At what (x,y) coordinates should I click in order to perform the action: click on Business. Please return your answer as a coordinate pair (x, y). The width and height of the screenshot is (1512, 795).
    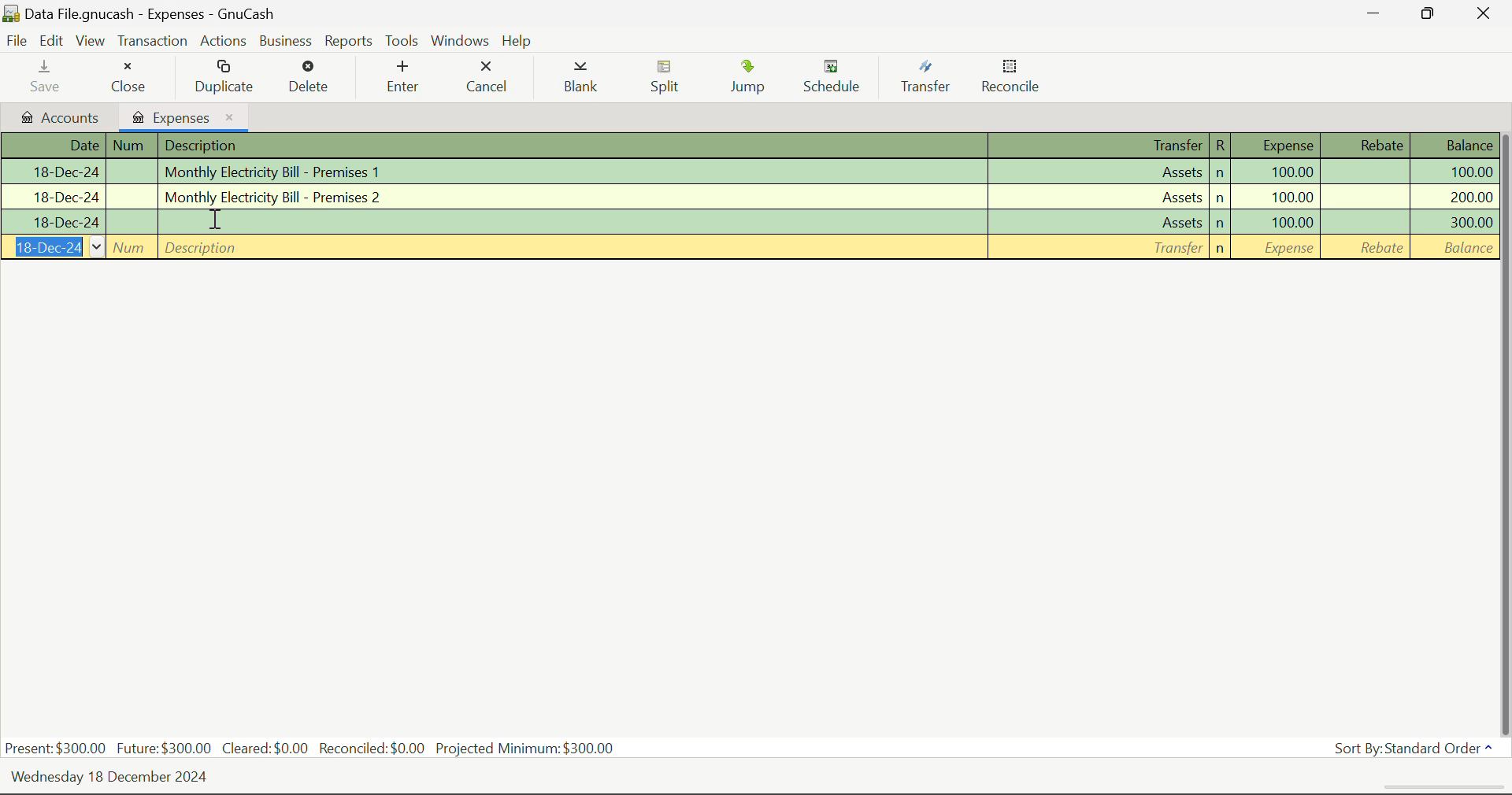
    Looking at the image, I should click on (287, 42).